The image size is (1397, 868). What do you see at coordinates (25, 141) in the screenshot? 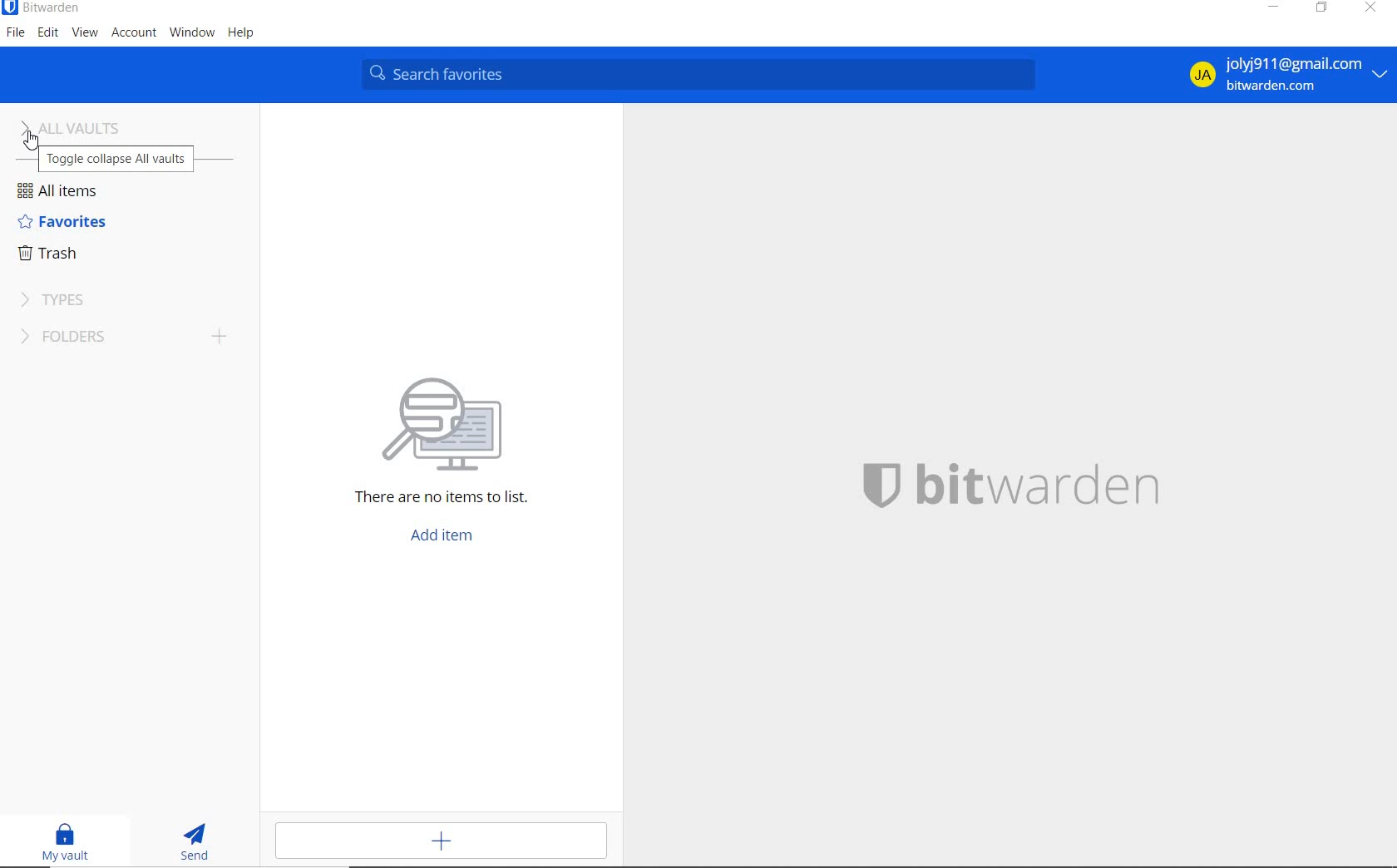
I see `CURSOR` at bounding box center [25, 141].